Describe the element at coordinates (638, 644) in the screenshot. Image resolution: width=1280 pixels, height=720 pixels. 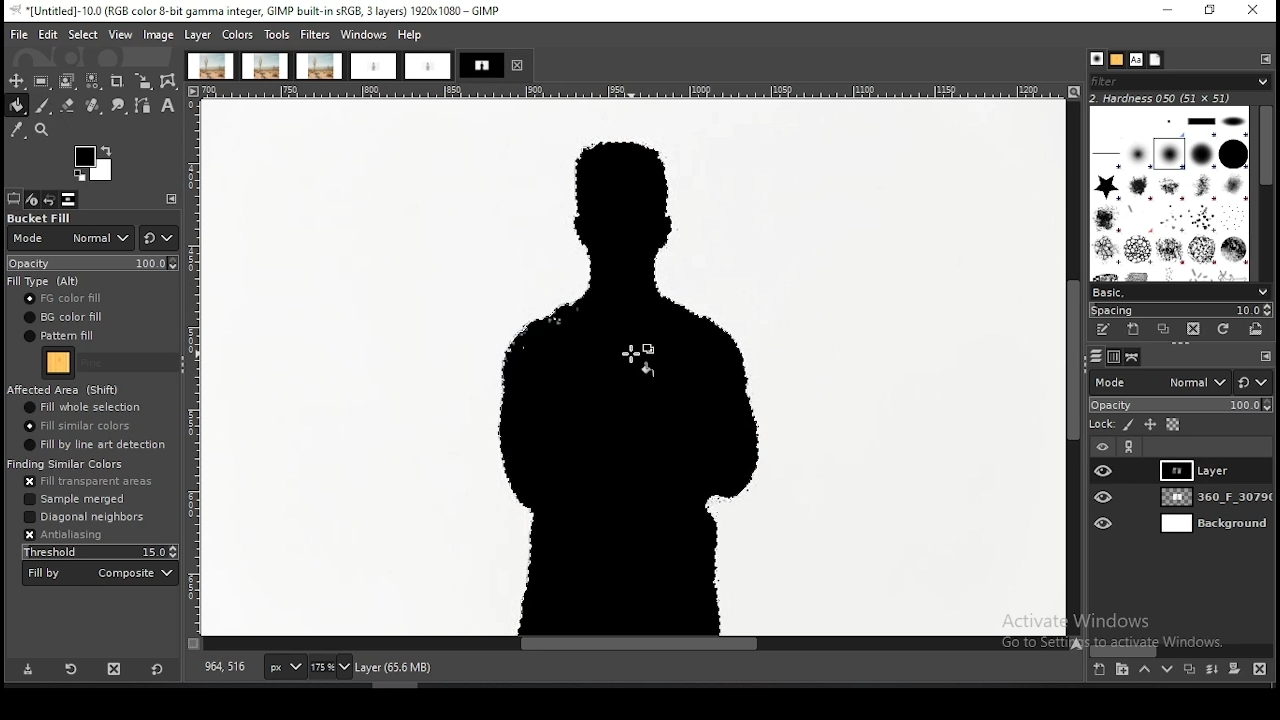
I see `scroll bar` at that location.